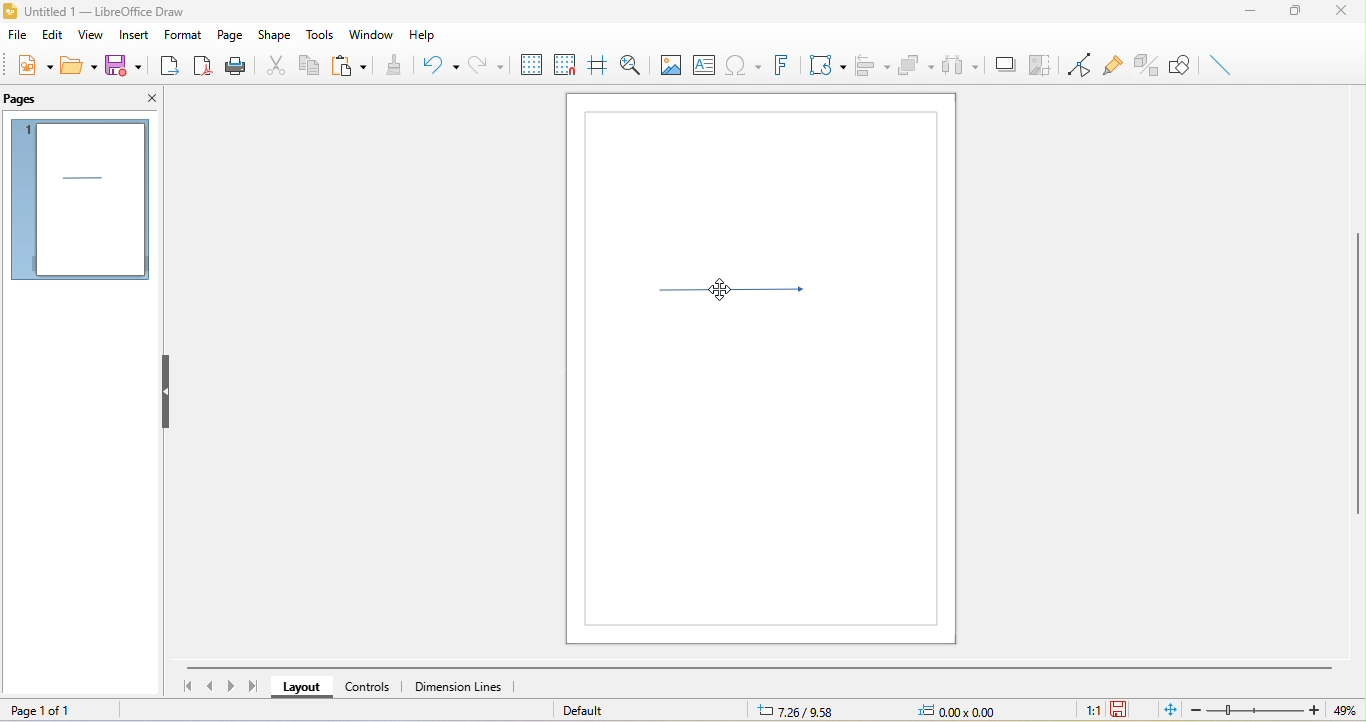  What do you see at coordinates (281, 64) in the screenshot?
I see `cut` at bounding box center [281, 64].